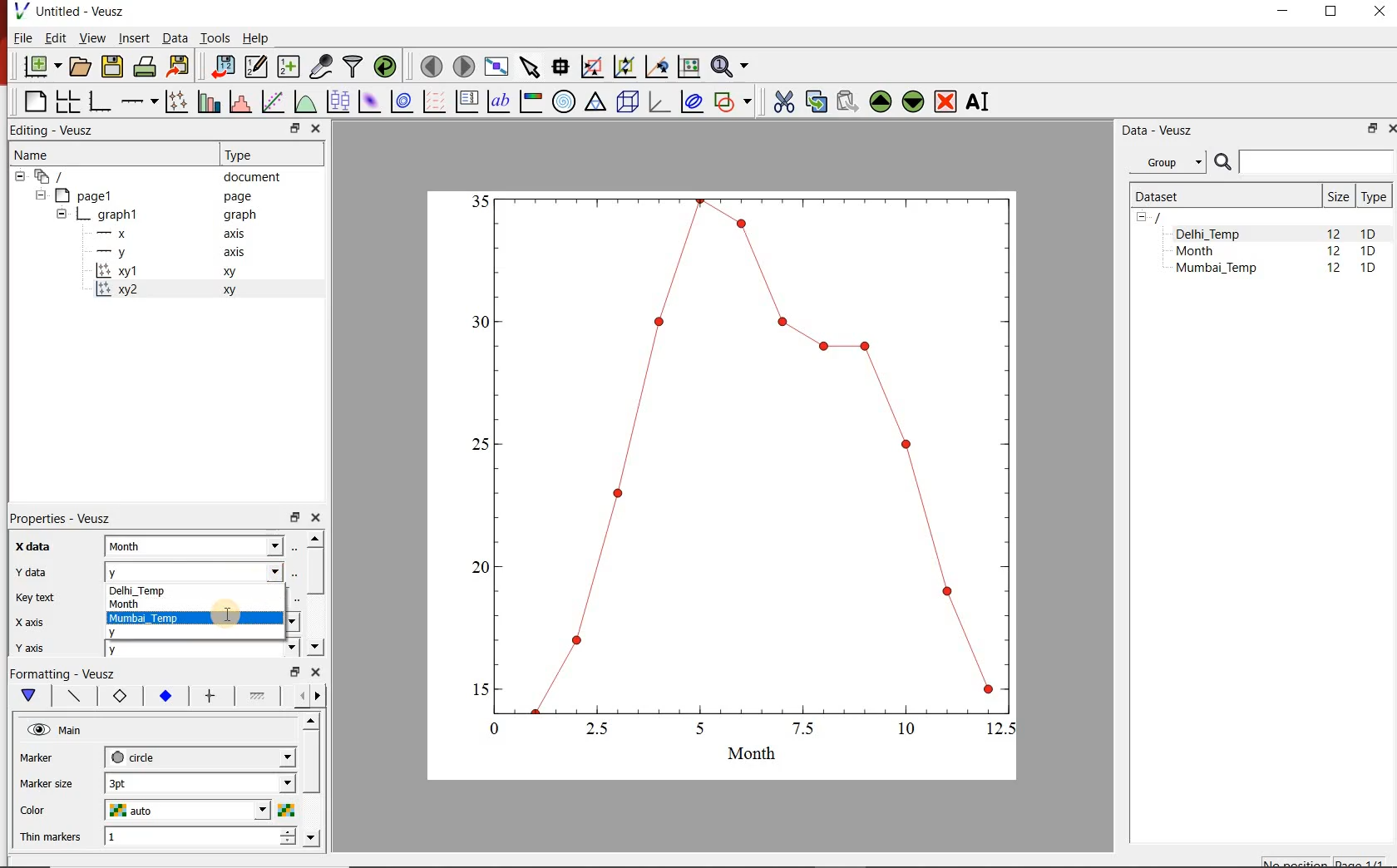  What do you see at coordinates (62, 129) in the screenshot?
I see `Editing - Veusz` at bounding box center [62, 129].